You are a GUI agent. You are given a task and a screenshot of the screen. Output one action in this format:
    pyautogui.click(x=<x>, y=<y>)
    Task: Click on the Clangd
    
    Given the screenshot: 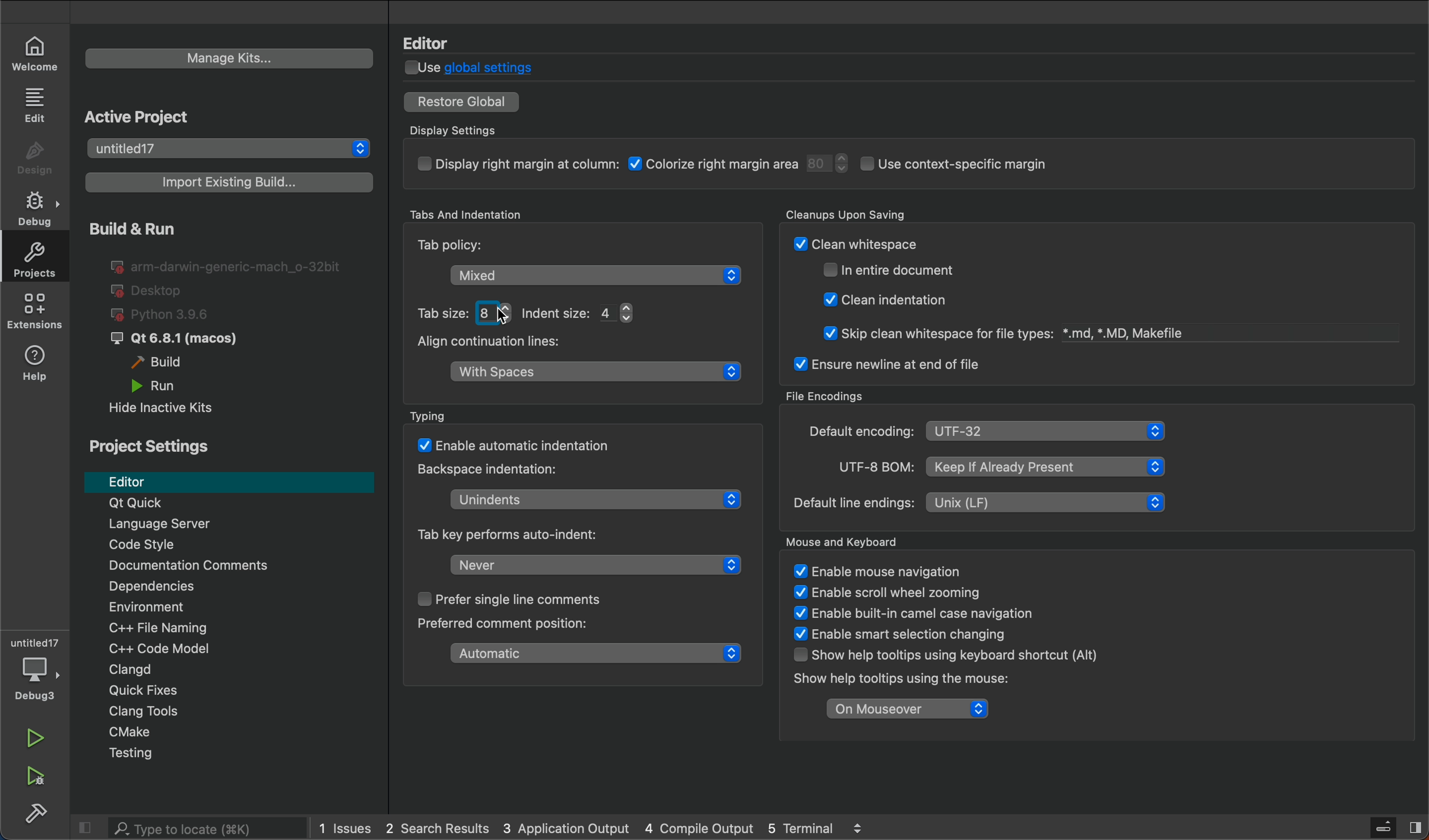 What is the action you would take?
    pyautogui.click(x=240, y=671)
    